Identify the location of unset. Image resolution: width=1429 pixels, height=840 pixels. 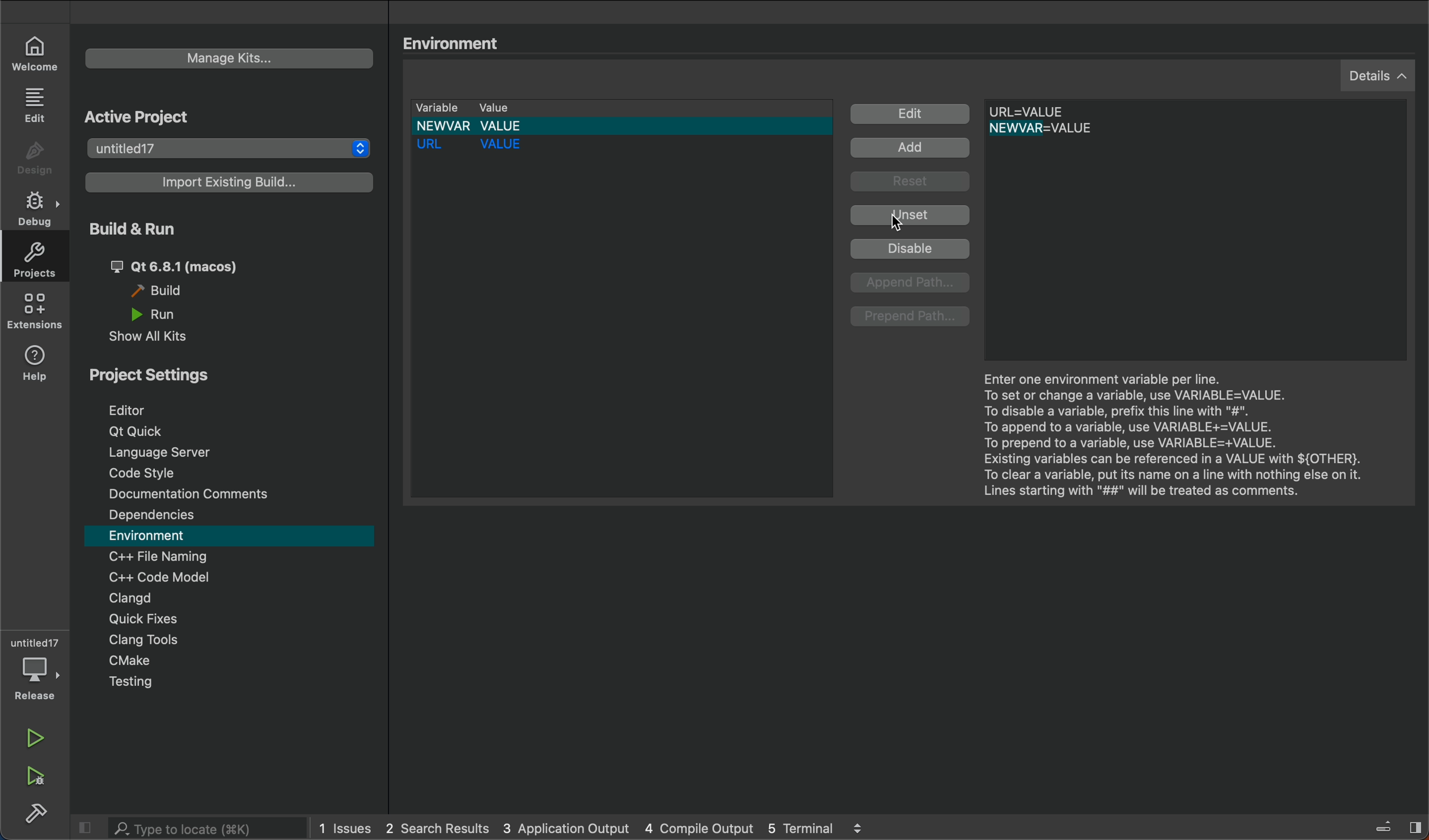
(910, 215).